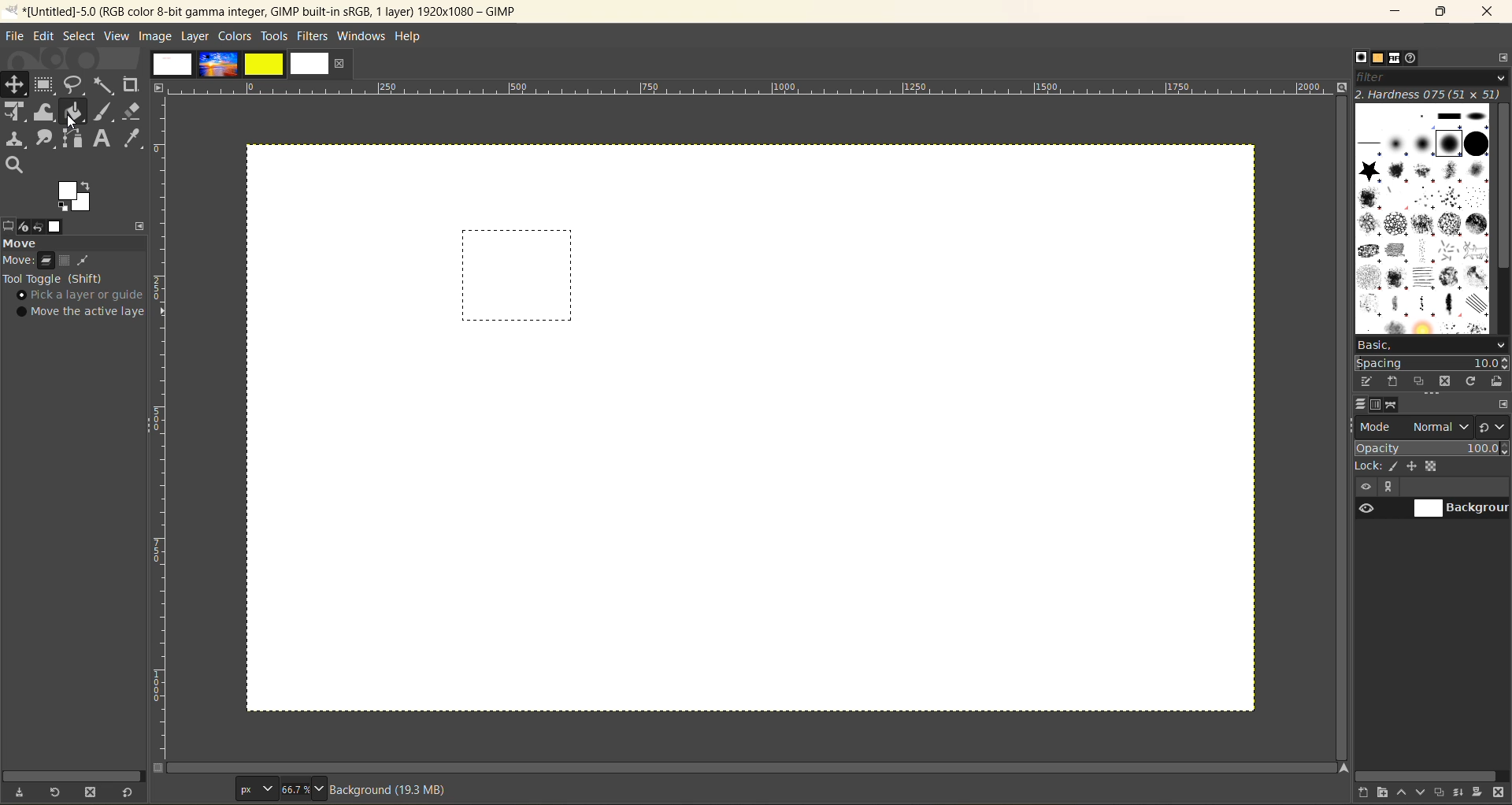 The height and width of the screenshot is (805, 1512). What do you see at coordinates (1443, 791) in the screenshot?
I see `create a duplicate layer` at bounding box center [1443, 791].